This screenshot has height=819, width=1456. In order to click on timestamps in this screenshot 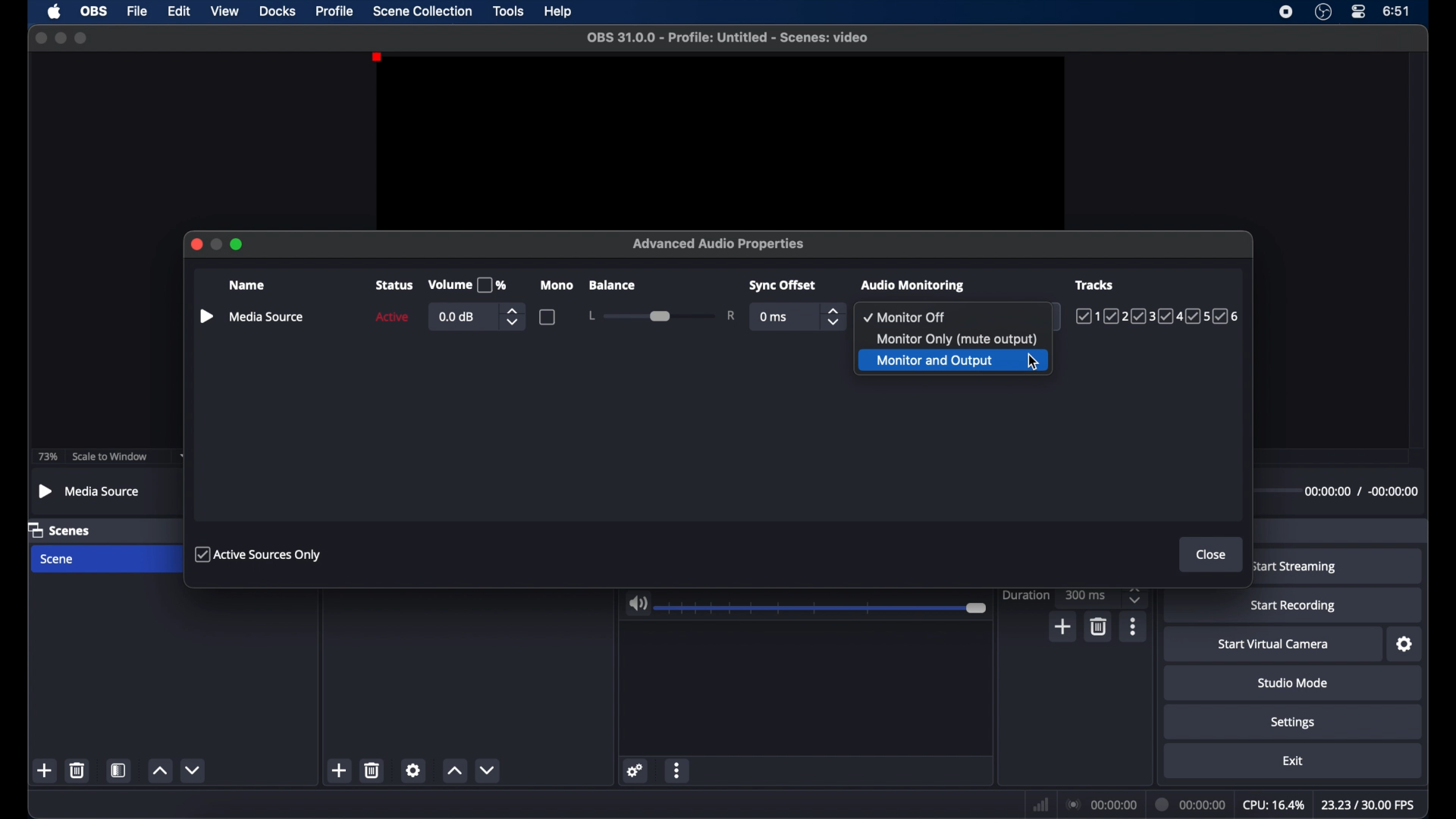, I will do `click(1361, 492)`.